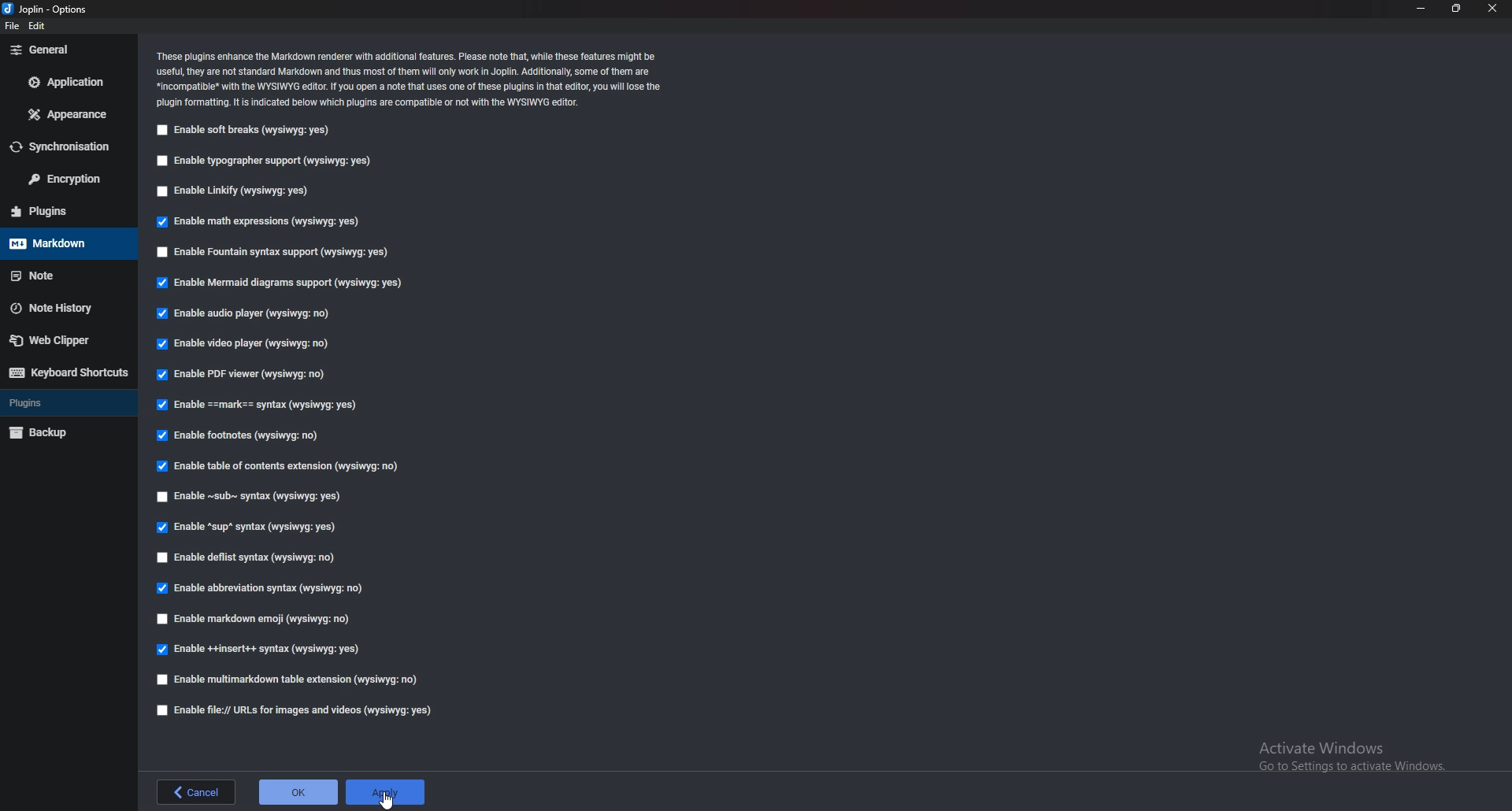 The height and width of the screenshot is (811, 1512). I want to click on enable Sub syntax, so click(247, 498).